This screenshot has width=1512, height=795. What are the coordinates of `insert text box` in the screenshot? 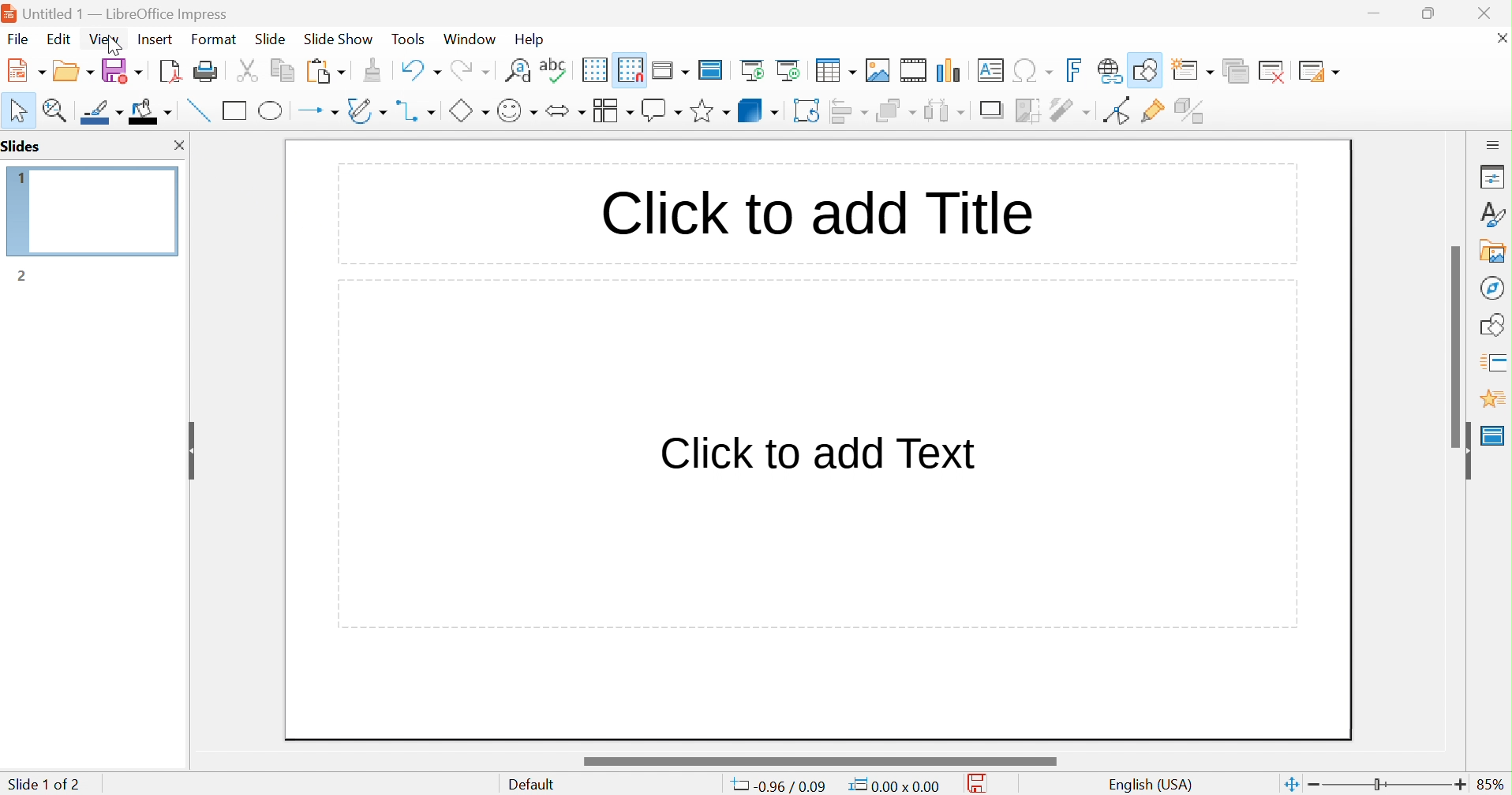 It's located at (990, 69).